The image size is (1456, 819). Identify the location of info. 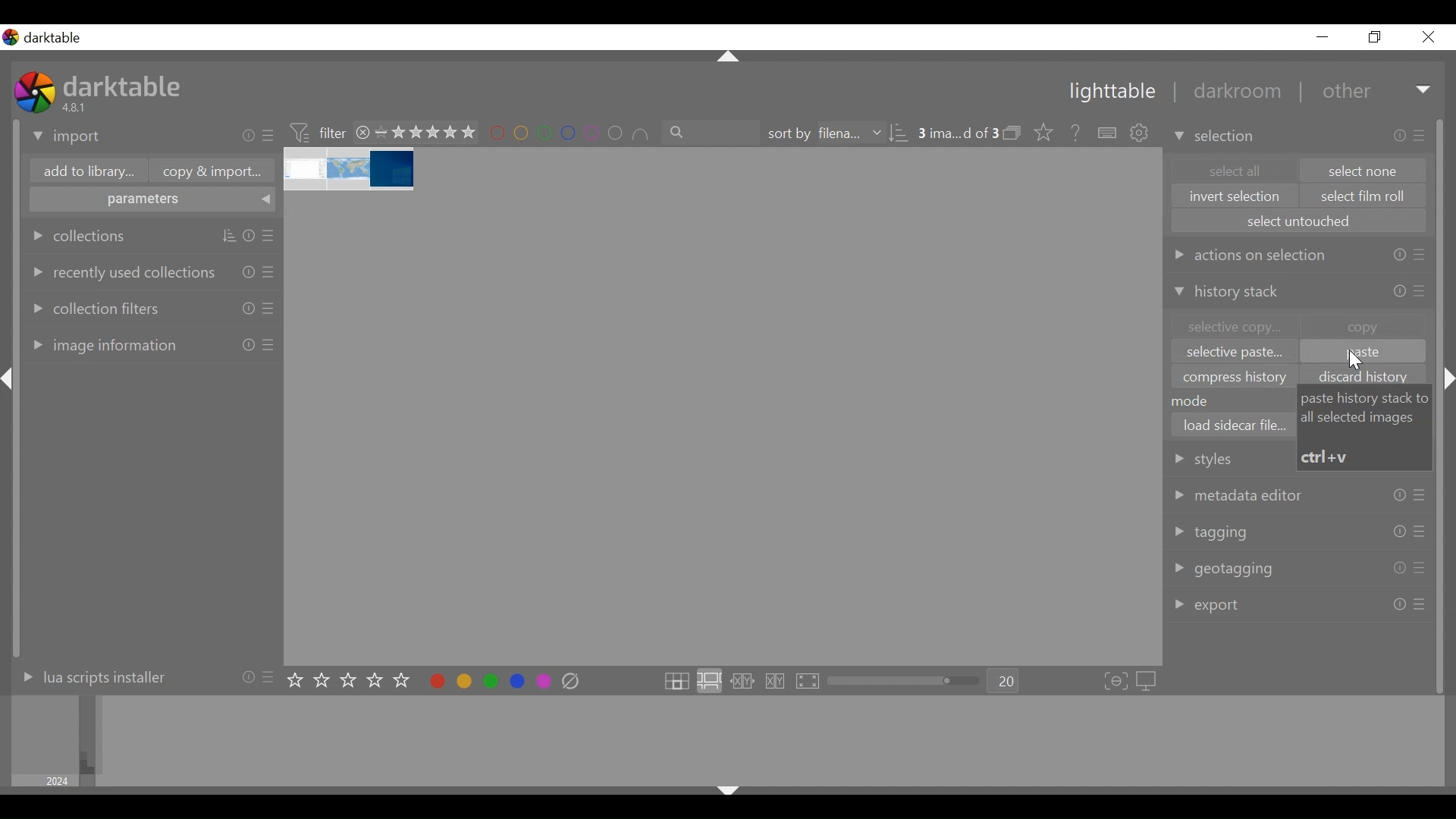
(1399, 604).